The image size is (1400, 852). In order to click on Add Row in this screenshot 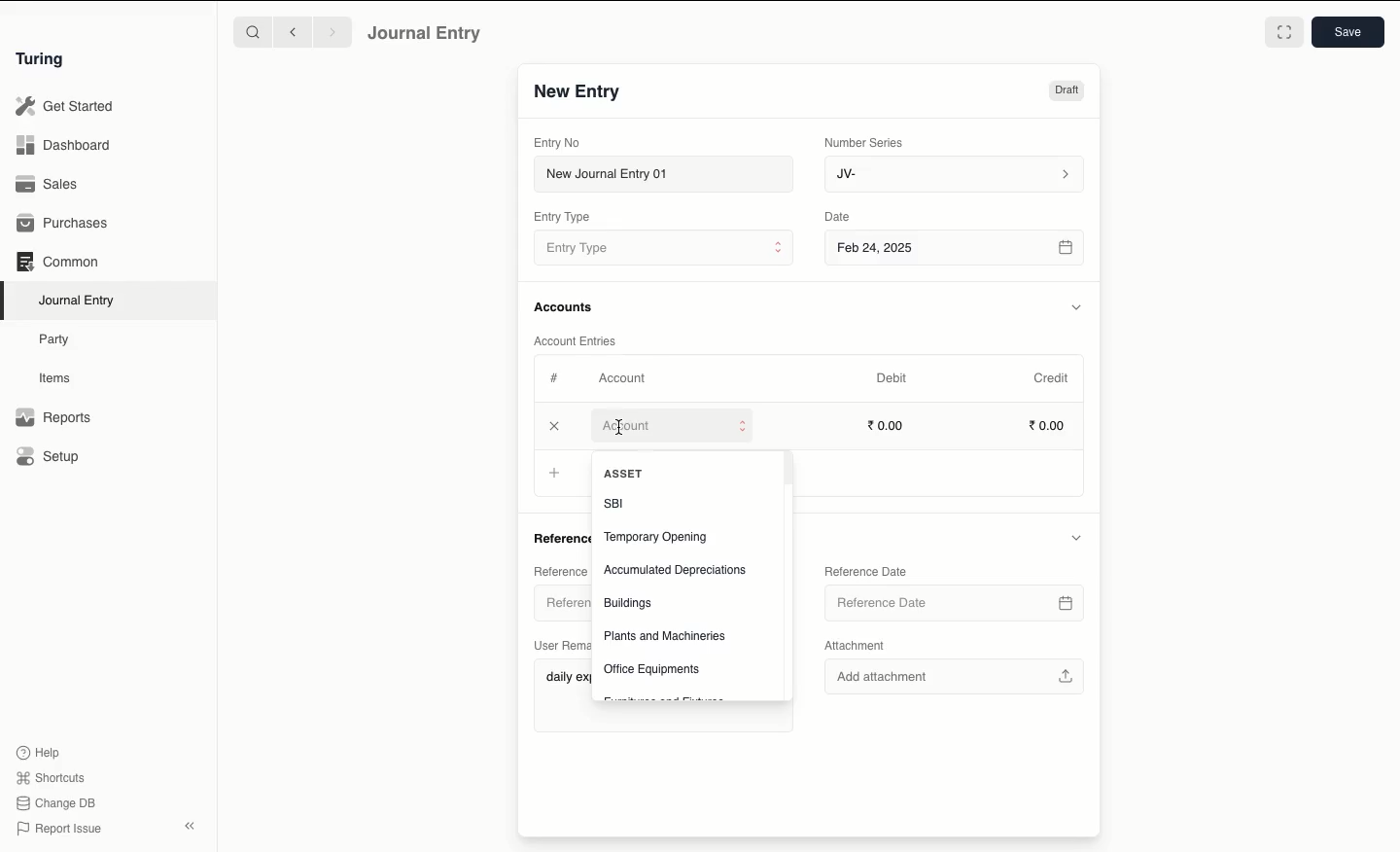, I will do `click(622, 473)`.